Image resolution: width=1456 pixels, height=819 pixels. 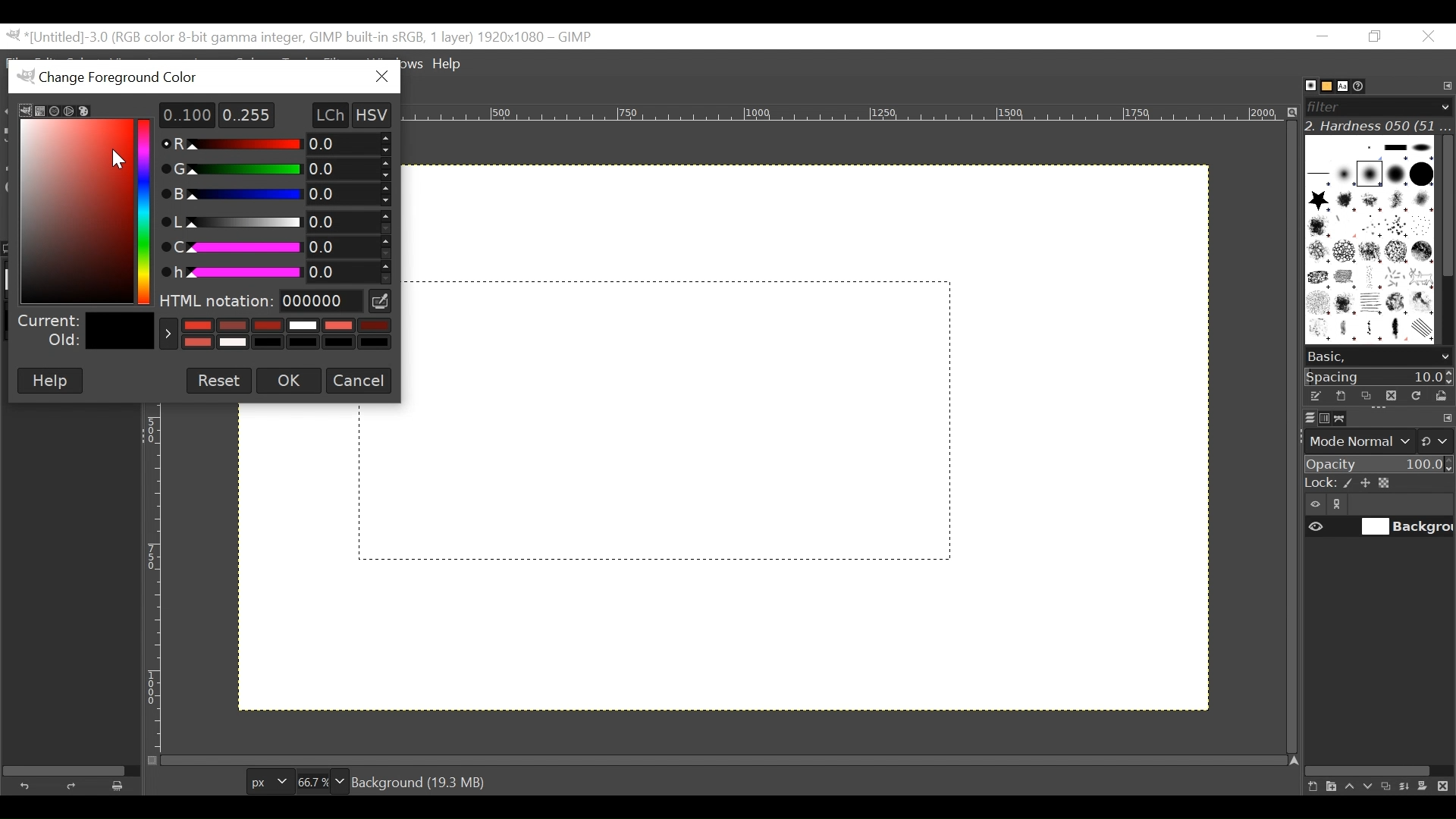 I want to click on Add a mask, so click(x=1427, y=789).